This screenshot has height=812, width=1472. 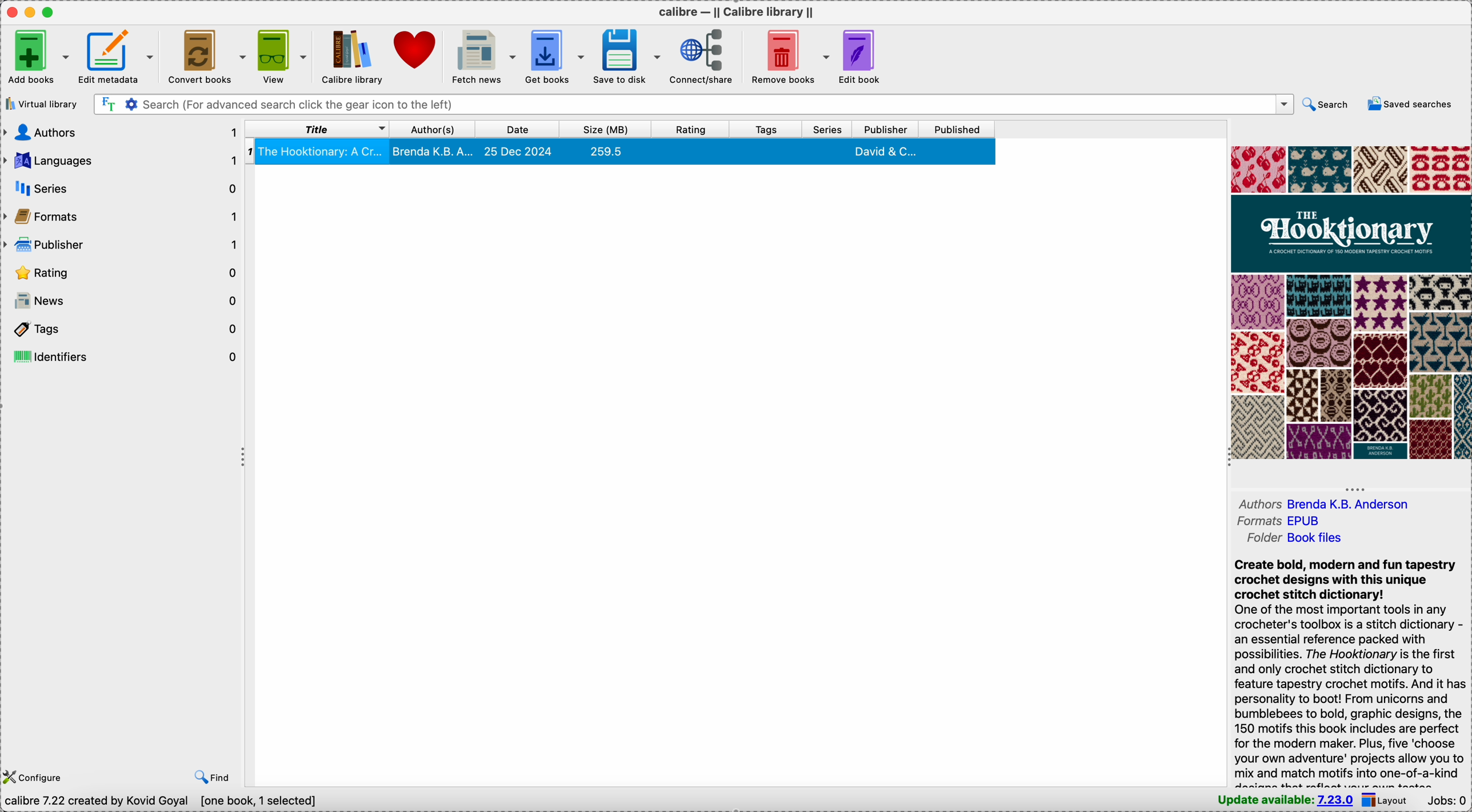 I want to click on series, so click(x=826, y=129).